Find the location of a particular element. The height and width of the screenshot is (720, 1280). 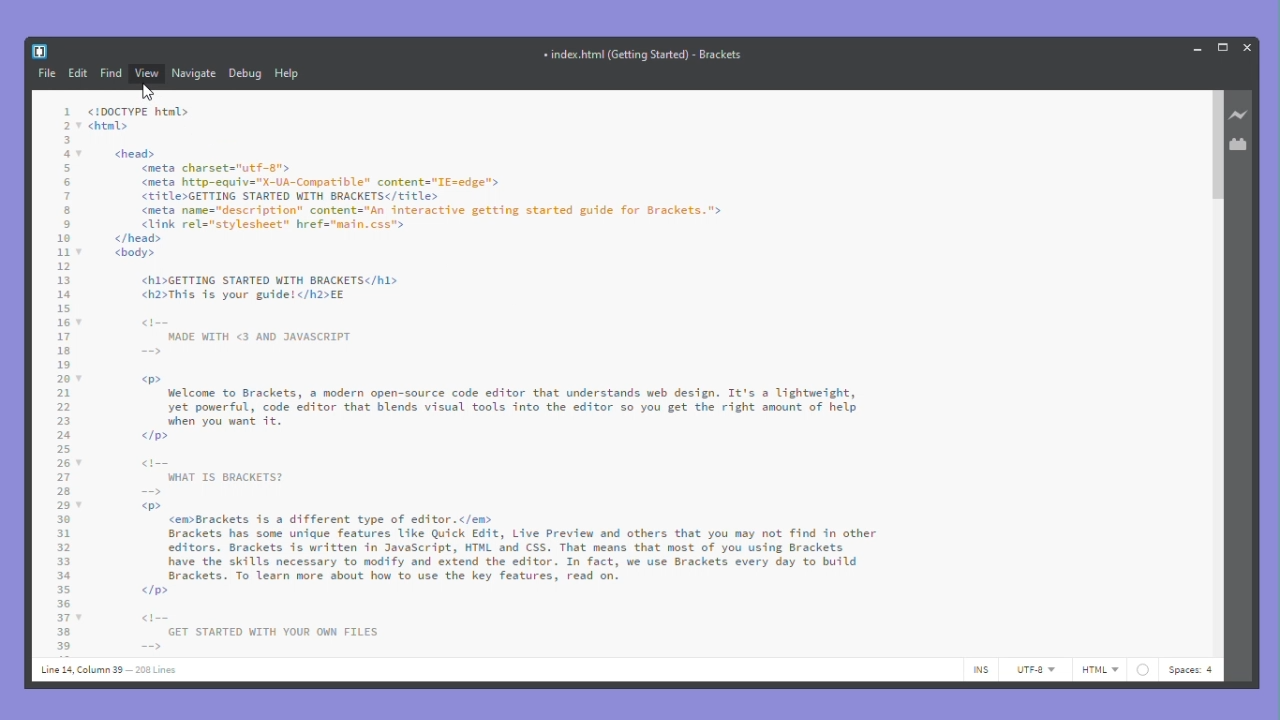

3 is located at coordinates (67, 140).